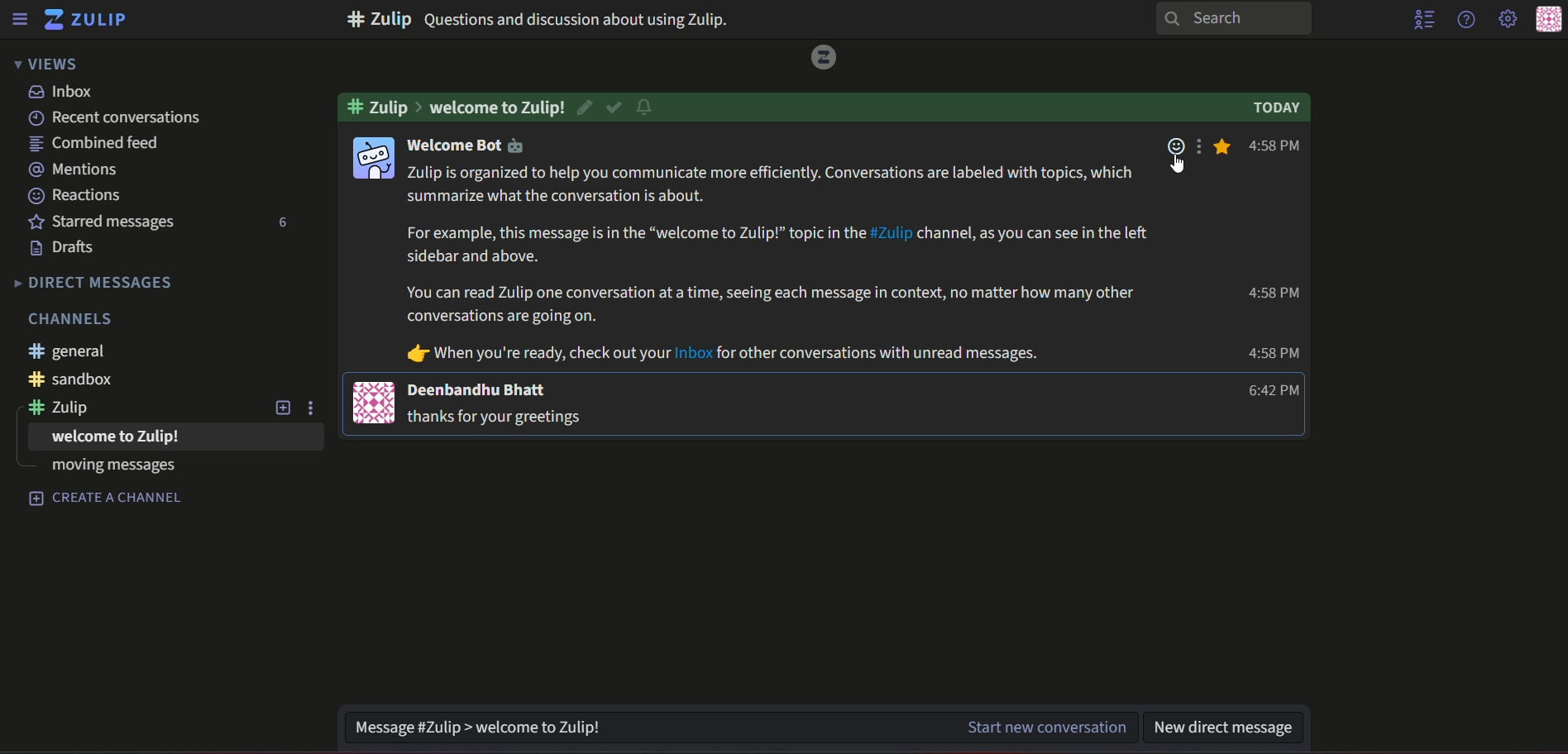 The height and width of the screenshot is (754, 1568). What do you see at coordinates (1274, 107) in the screenshot?
I see `Today` at bounding box center [1274, 107].